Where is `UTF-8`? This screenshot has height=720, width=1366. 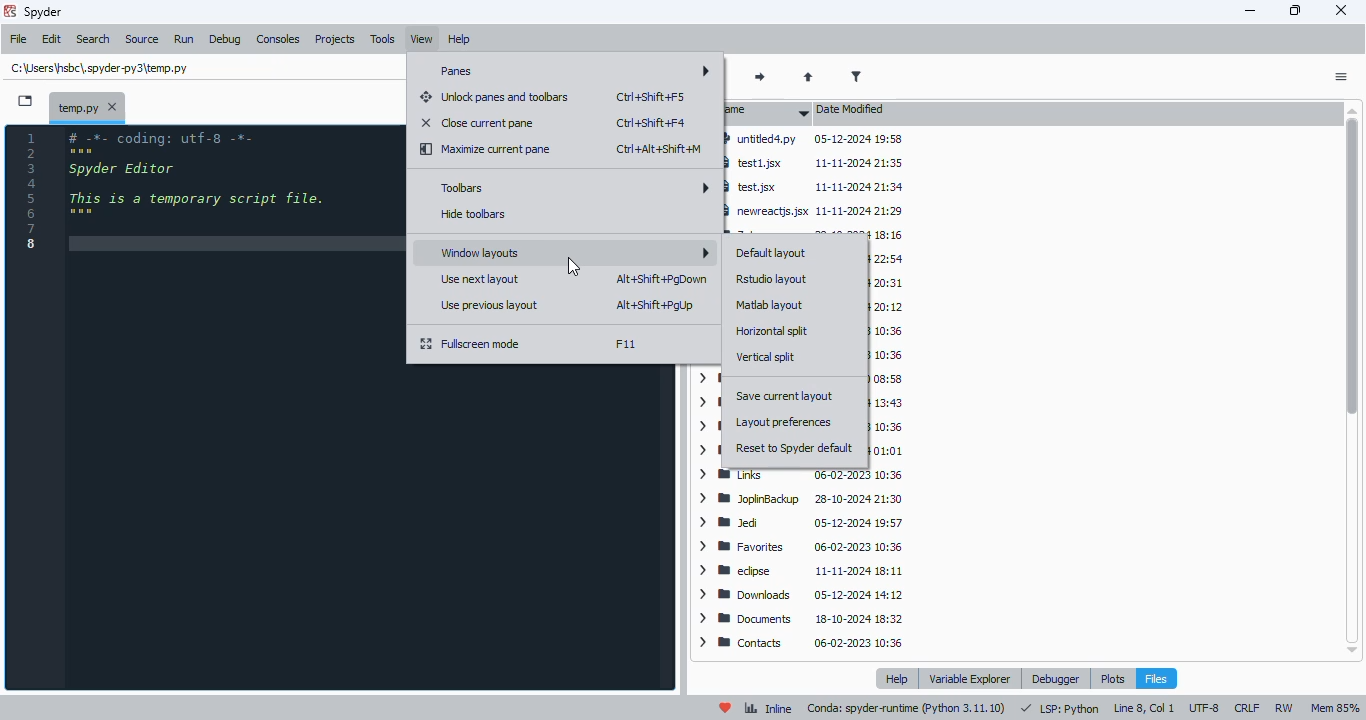
UTF-8 is located at coordinates (1203, 709).